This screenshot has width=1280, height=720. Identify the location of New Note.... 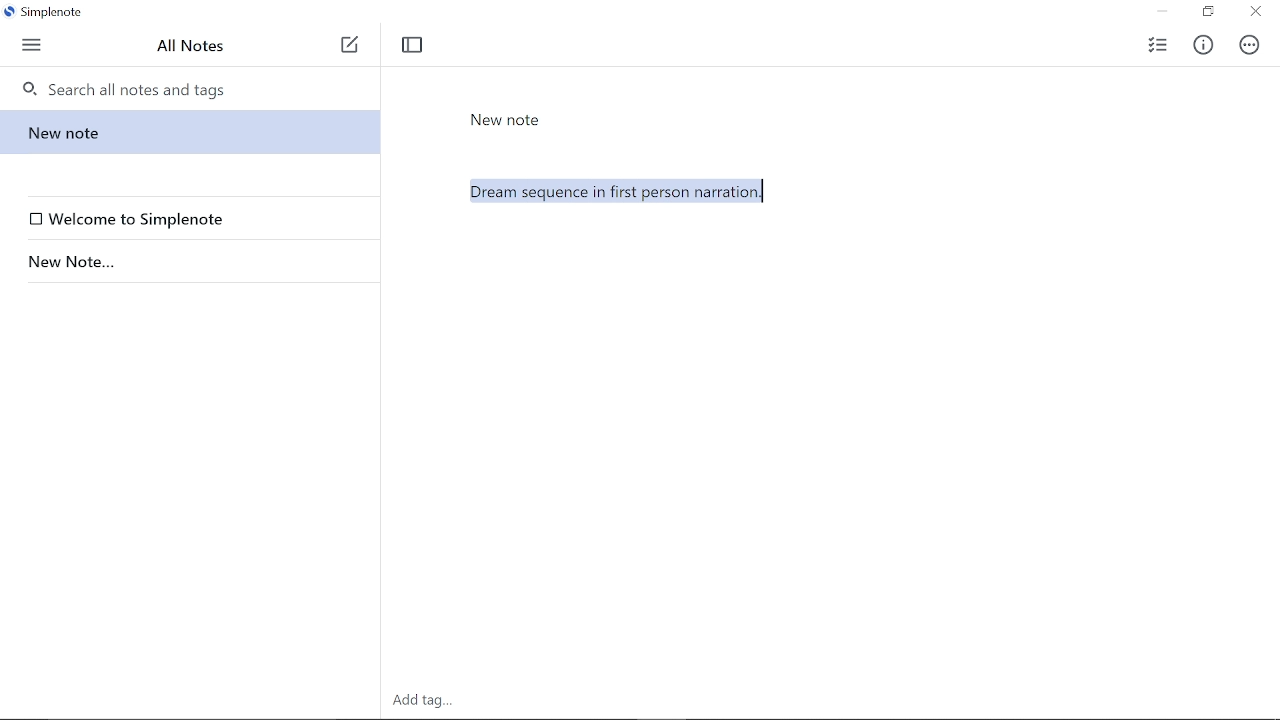
(186, 262).